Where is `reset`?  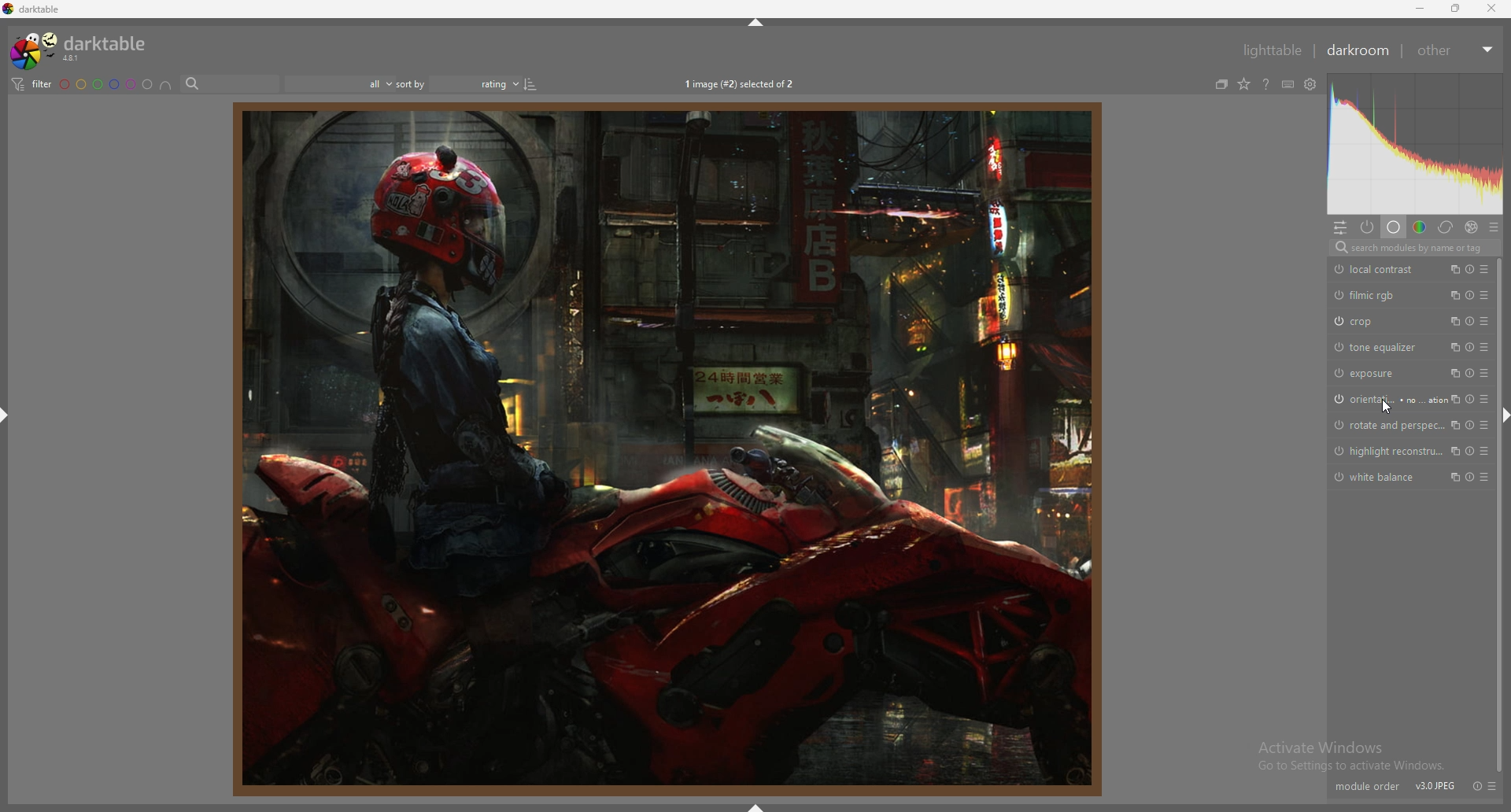
reset is located at coordinates (1471, 476).